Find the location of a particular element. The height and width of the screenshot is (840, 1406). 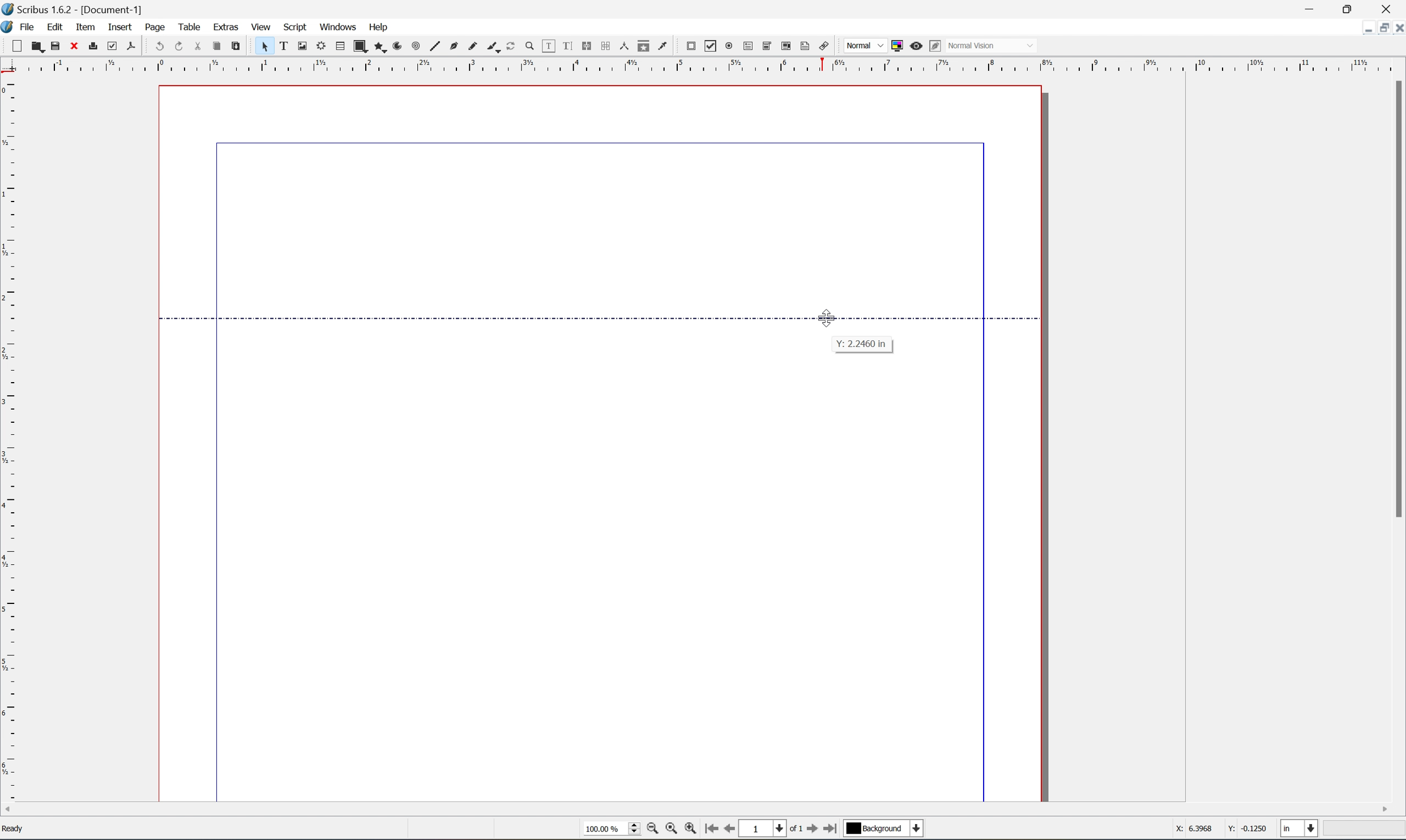

image frame is located at coordinates (303, 46).